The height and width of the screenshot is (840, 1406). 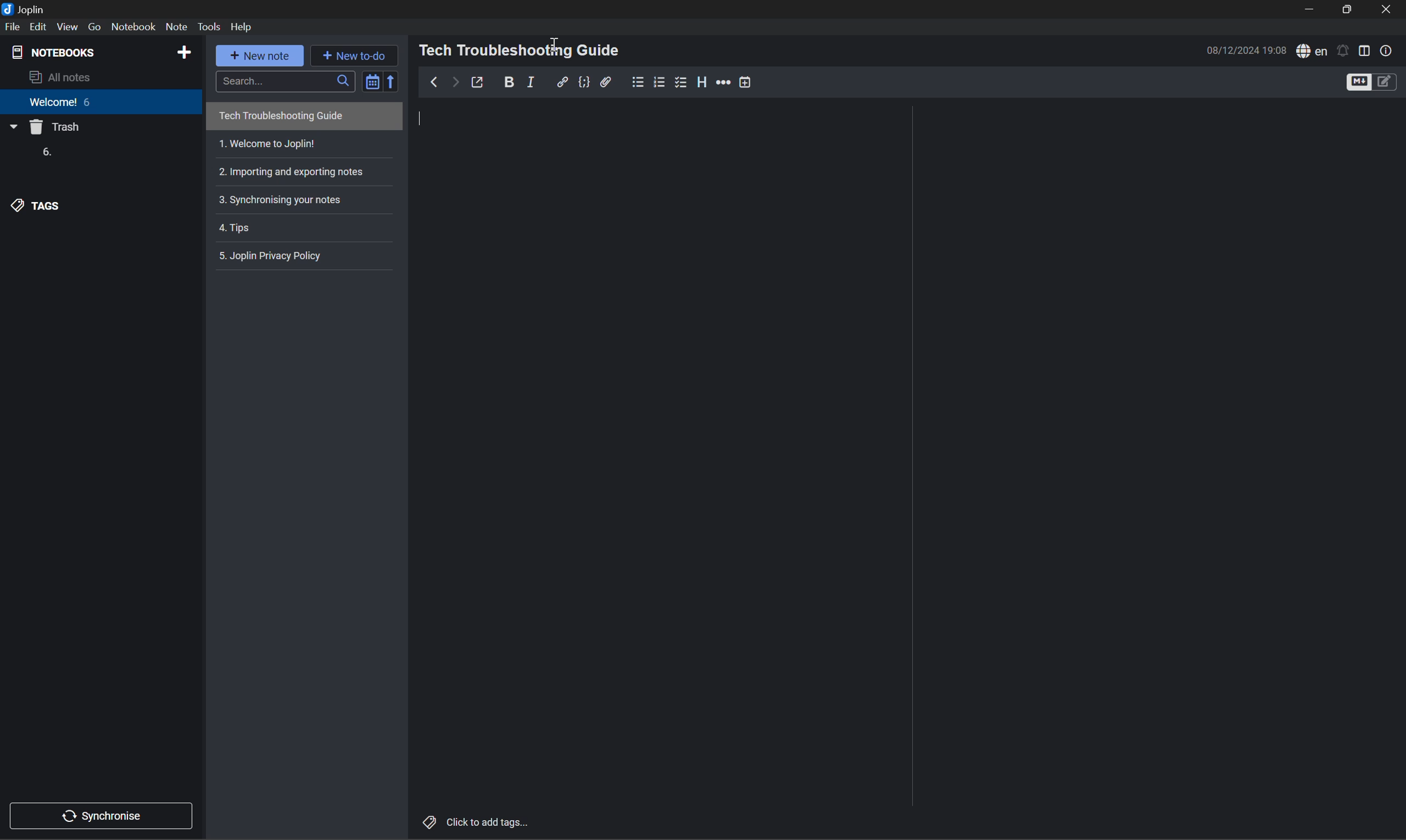 What do you see at coordinates (480, 83) in the screenshot?
I see `Toggle external editing` at bounding box center [480, 83].